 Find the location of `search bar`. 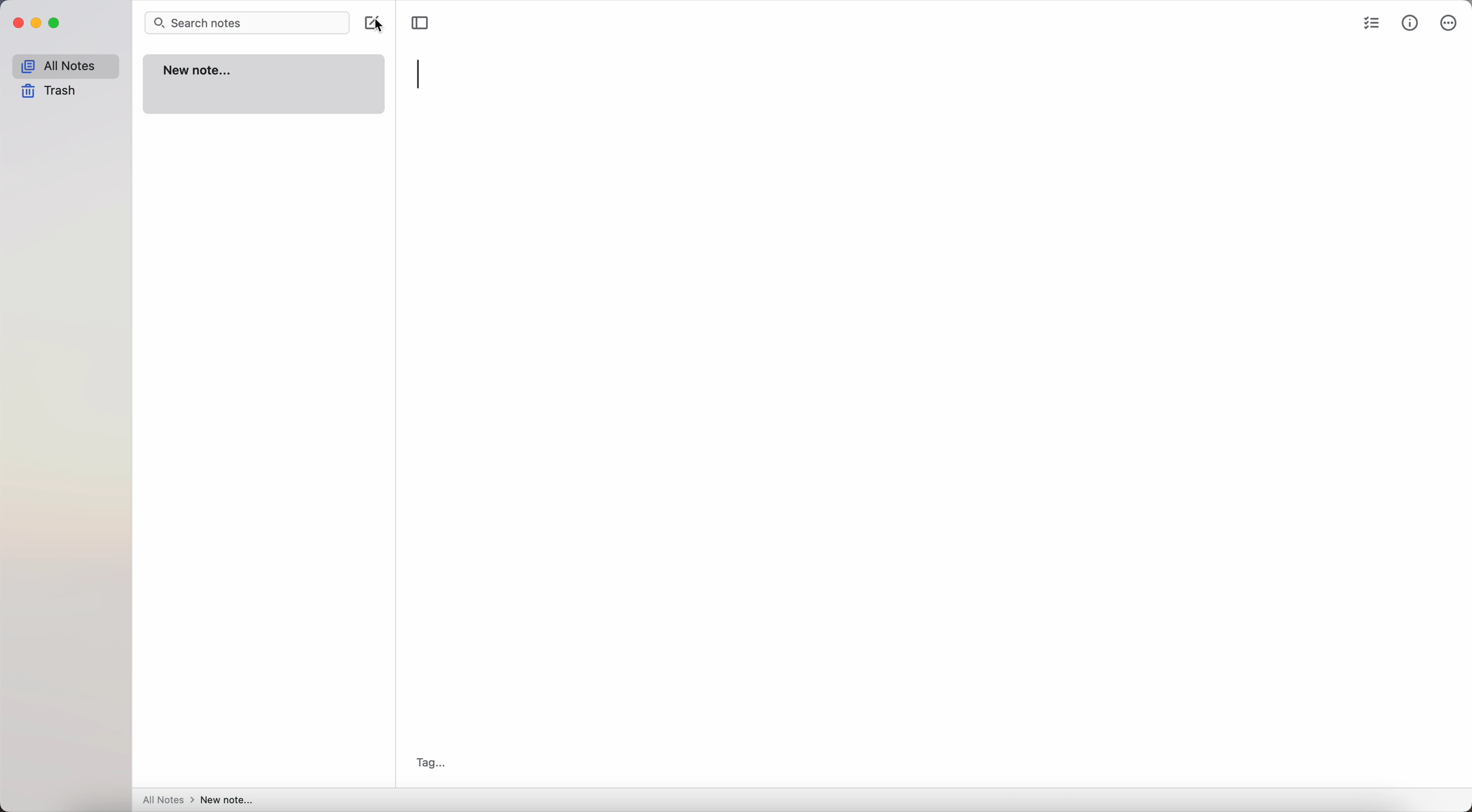

search bar is located at coordinates (246, 22).